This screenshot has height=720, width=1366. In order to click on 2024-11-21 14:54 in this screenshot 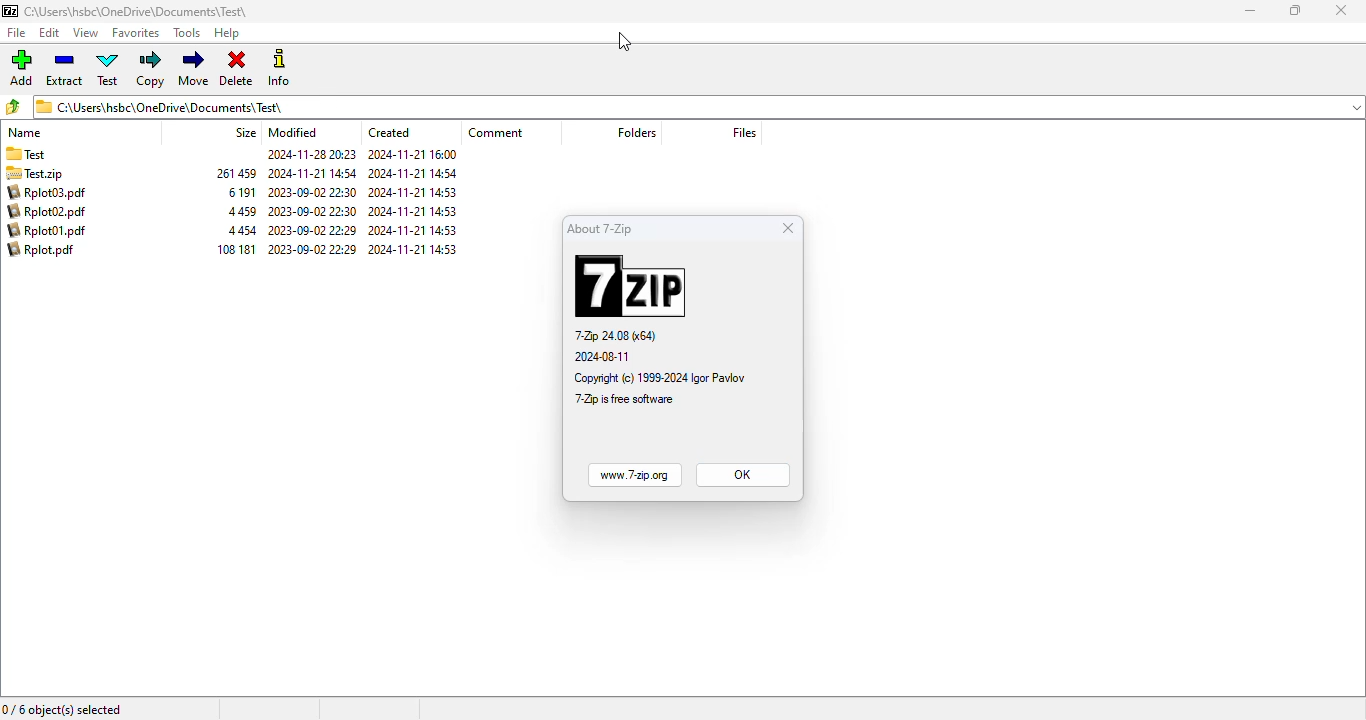, I will do `click(415, 174)`.